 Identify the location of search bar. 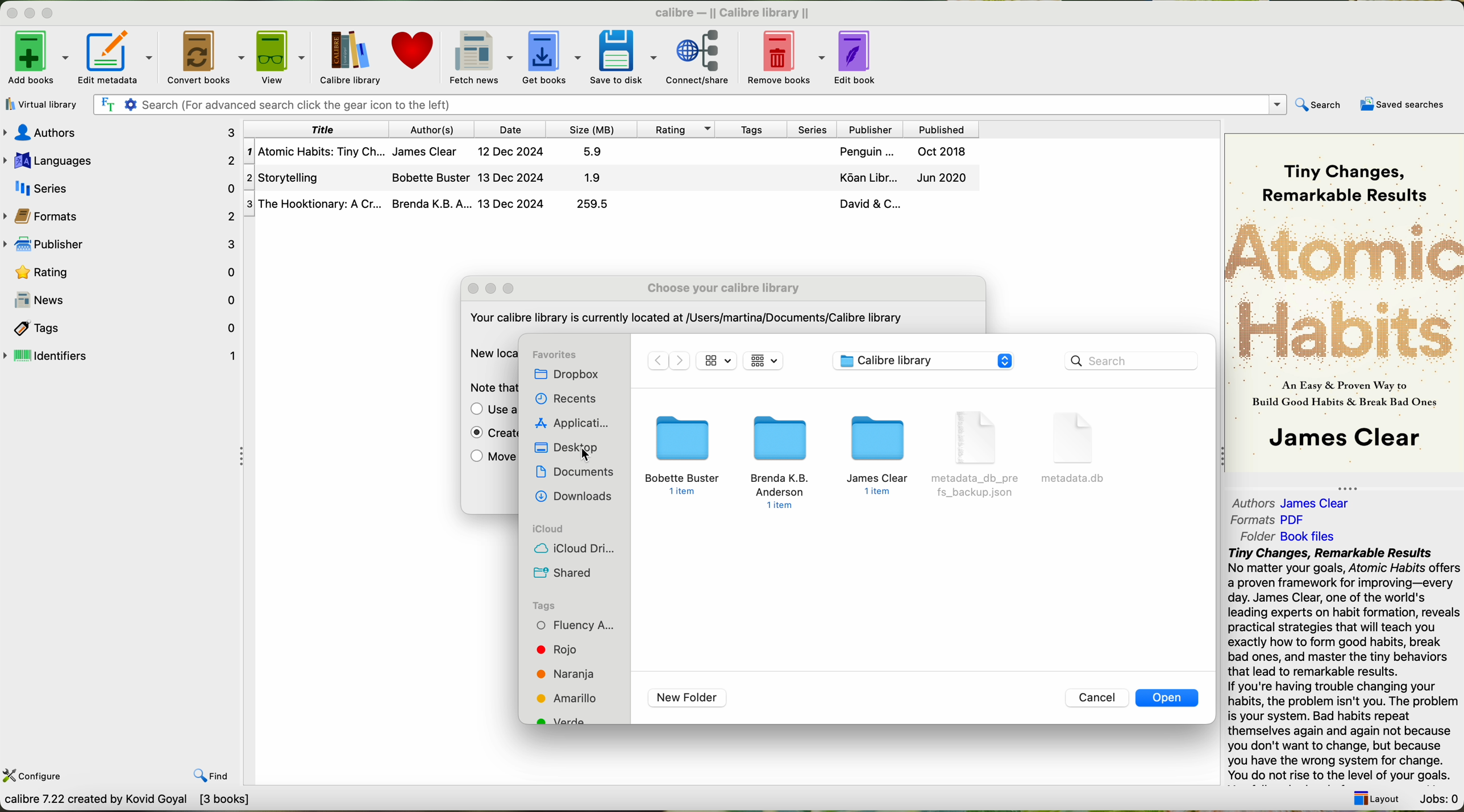
(1130, 360).